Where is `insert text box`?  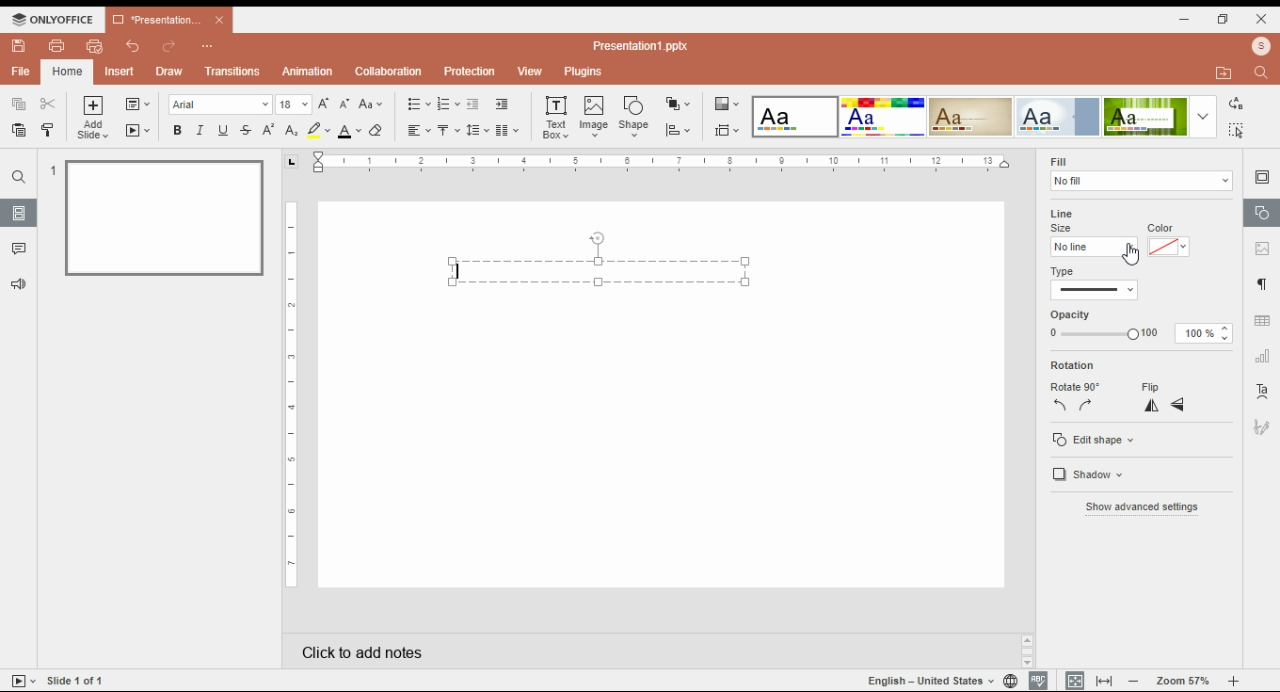 insert text box is located at coordinates (555, 117).